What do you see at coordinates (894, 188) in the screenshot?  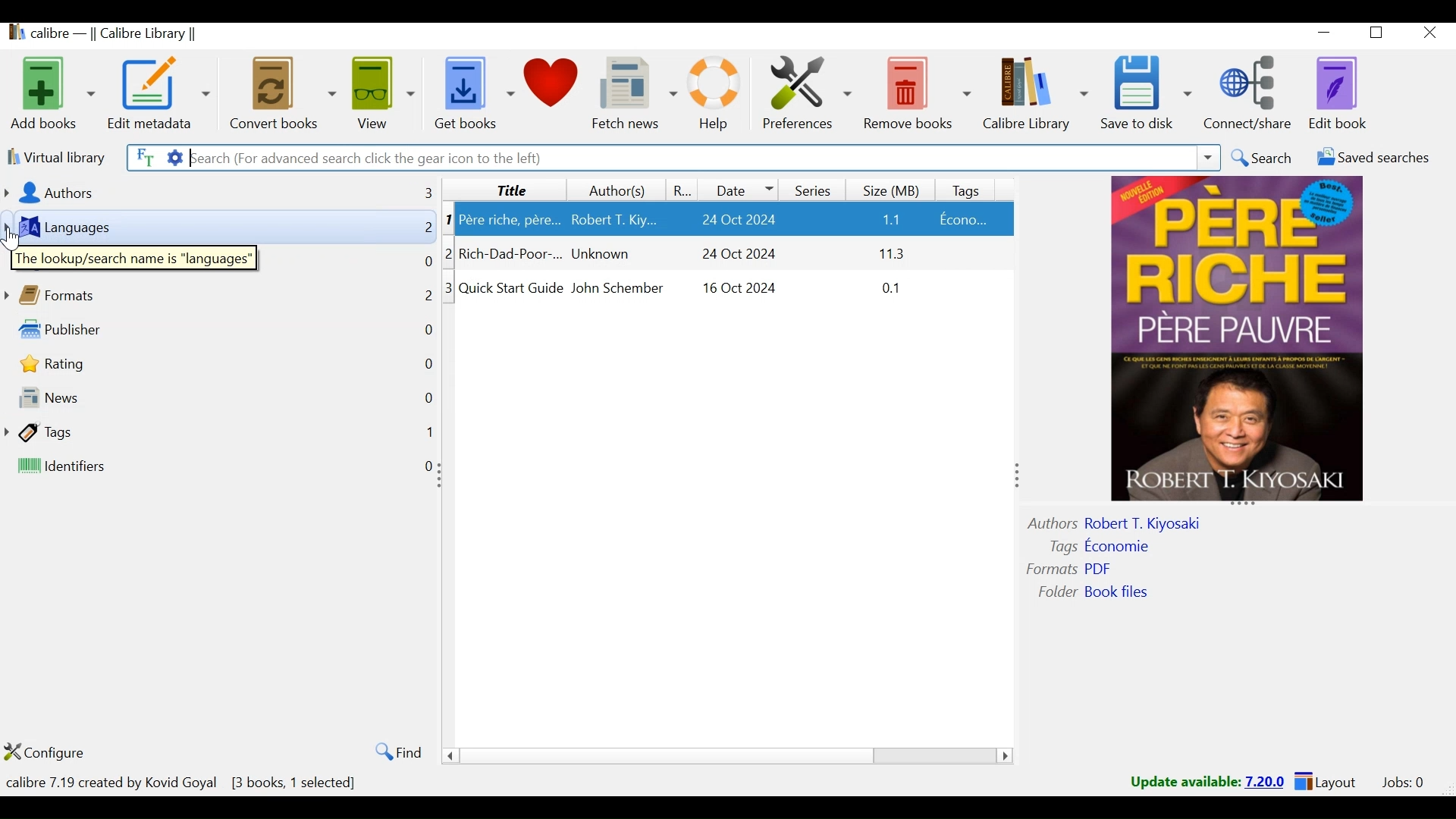 I see `Size (MB)` at bounding box center [894, 188].